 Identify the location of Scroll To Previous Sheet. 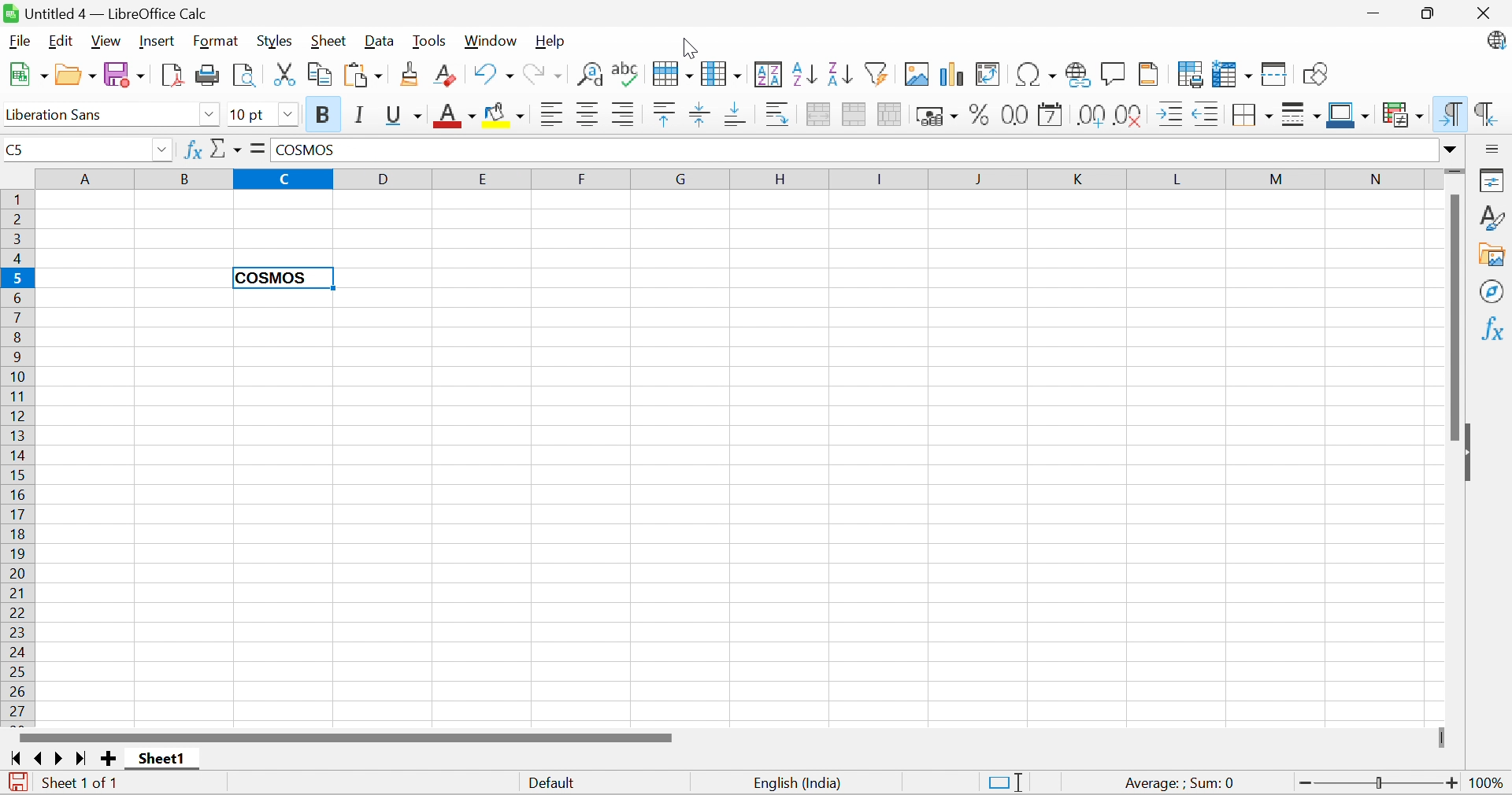
(39, 758).